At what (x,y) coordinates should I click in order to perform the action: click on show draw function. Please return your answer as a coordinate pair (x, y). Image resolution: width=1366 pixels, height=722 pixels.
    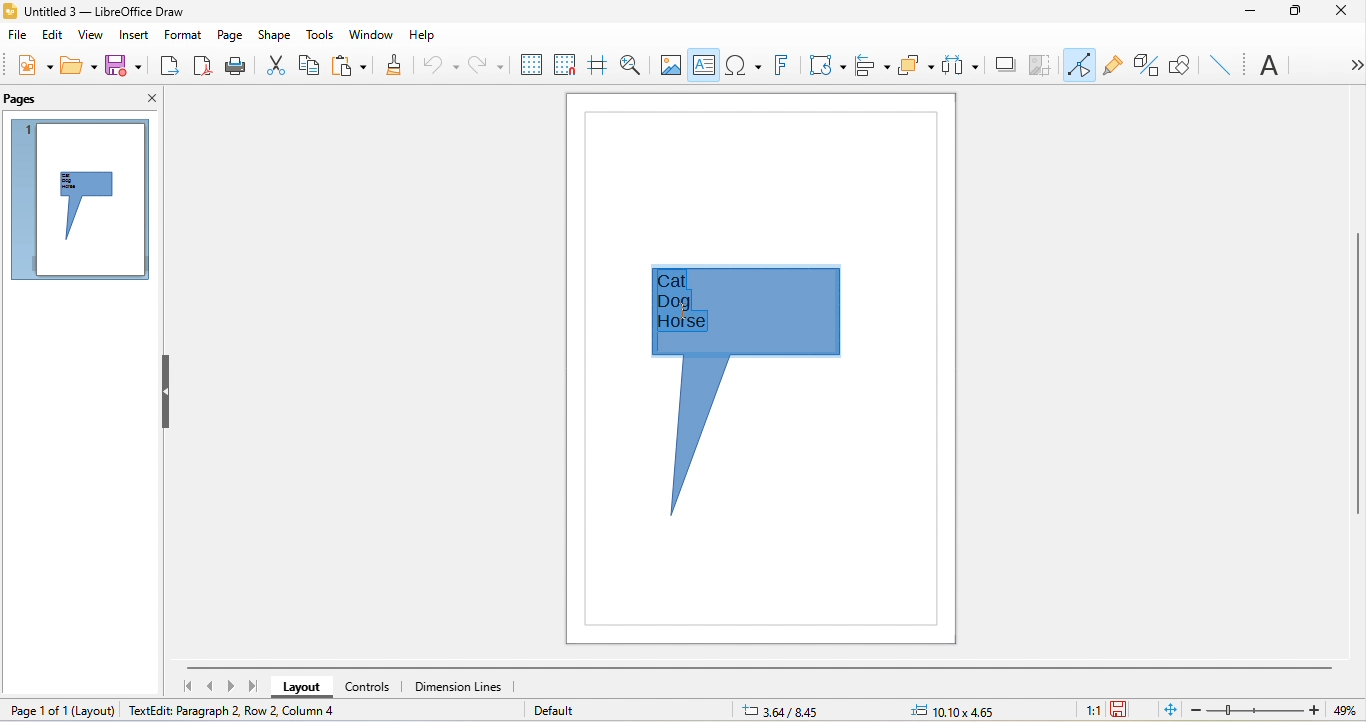
    Looking at the image, I should click on (1180, 63).